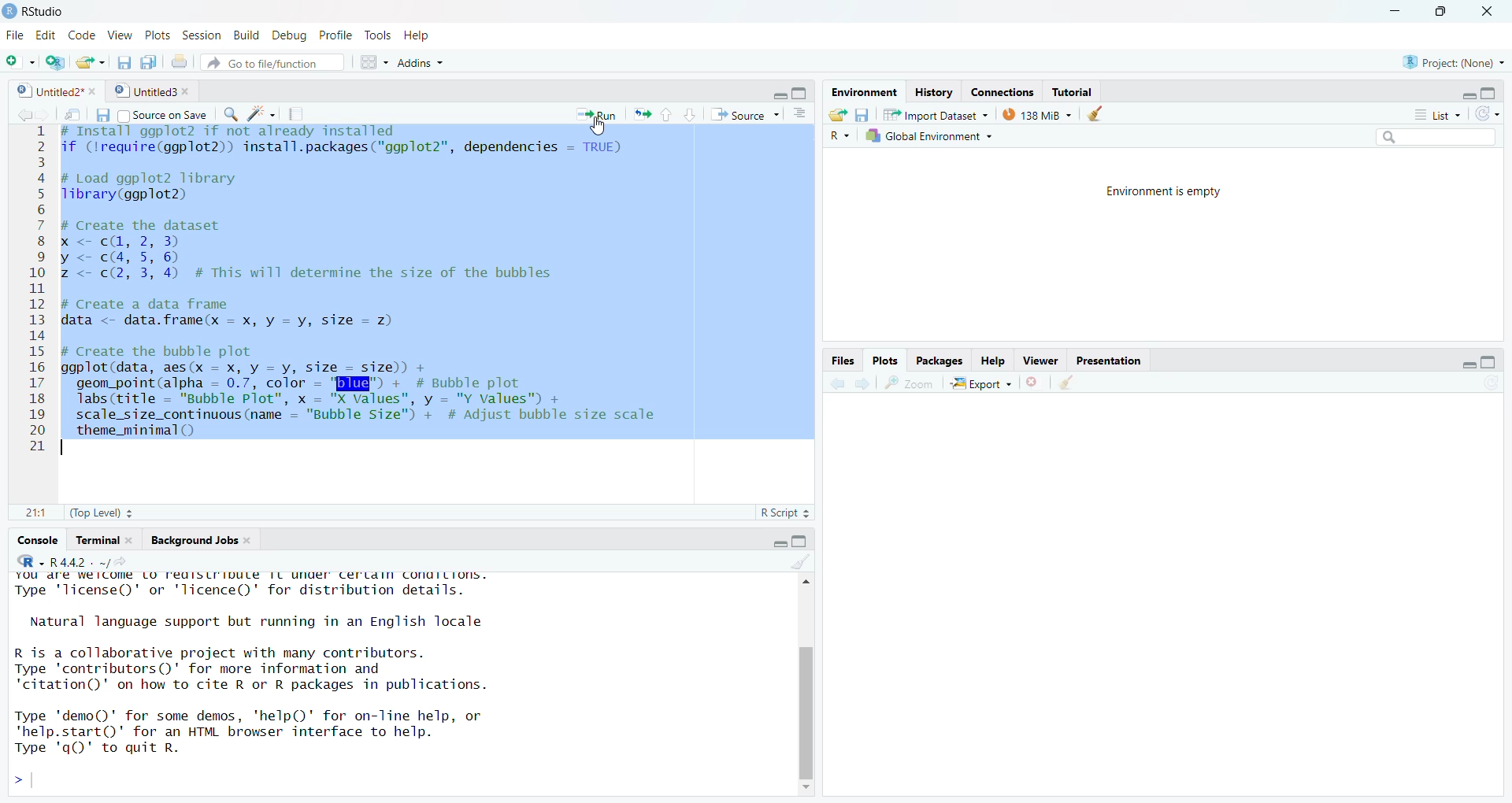 The width and height of the screenshot is (1512, 803). Describe the element at coordinates (849, 384) in the screenshot. I see `forward/backward` at that location.